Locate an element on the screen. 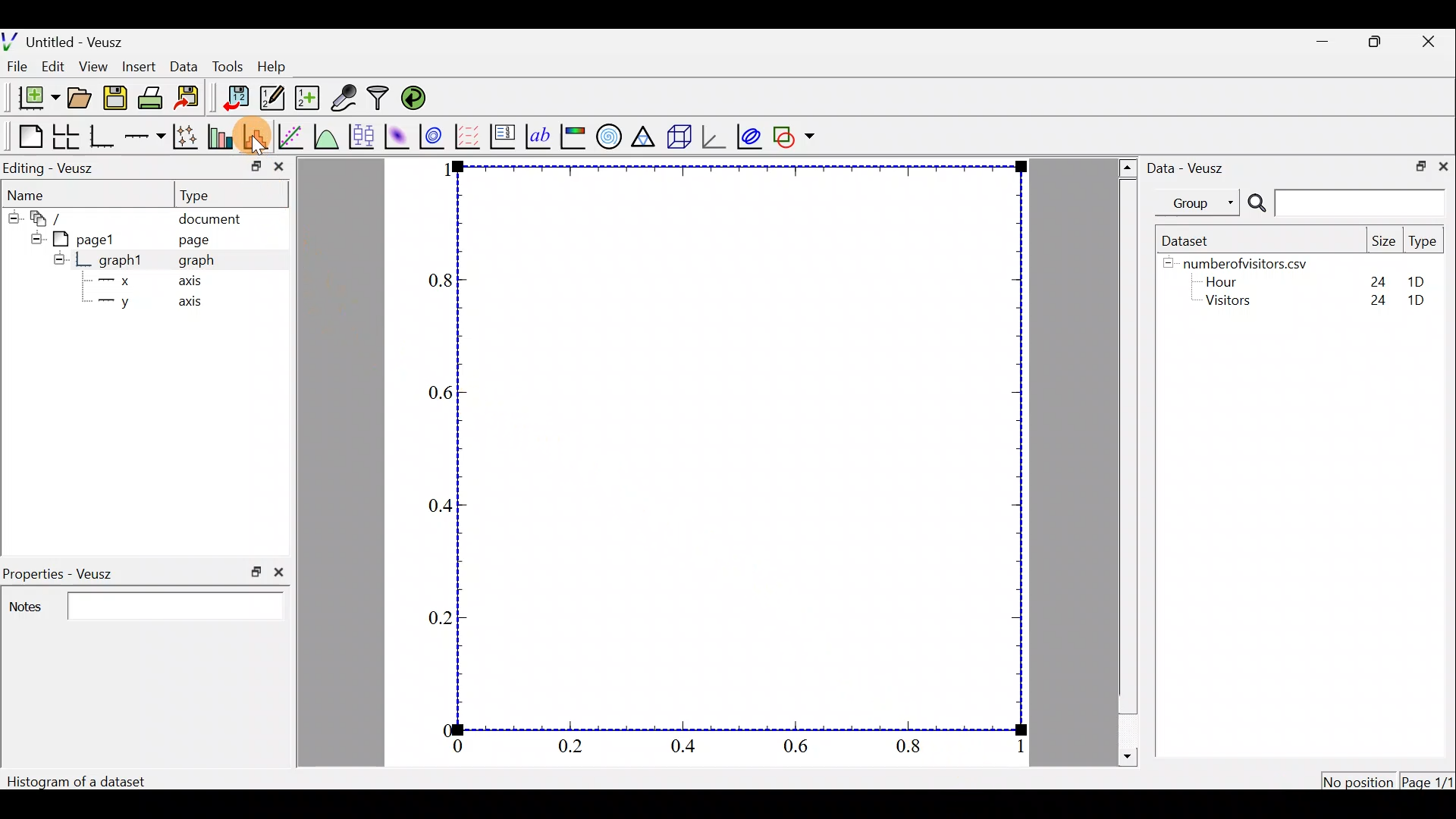 The image size is (1456, 819). 24 is located at coordinates (1374, 301).